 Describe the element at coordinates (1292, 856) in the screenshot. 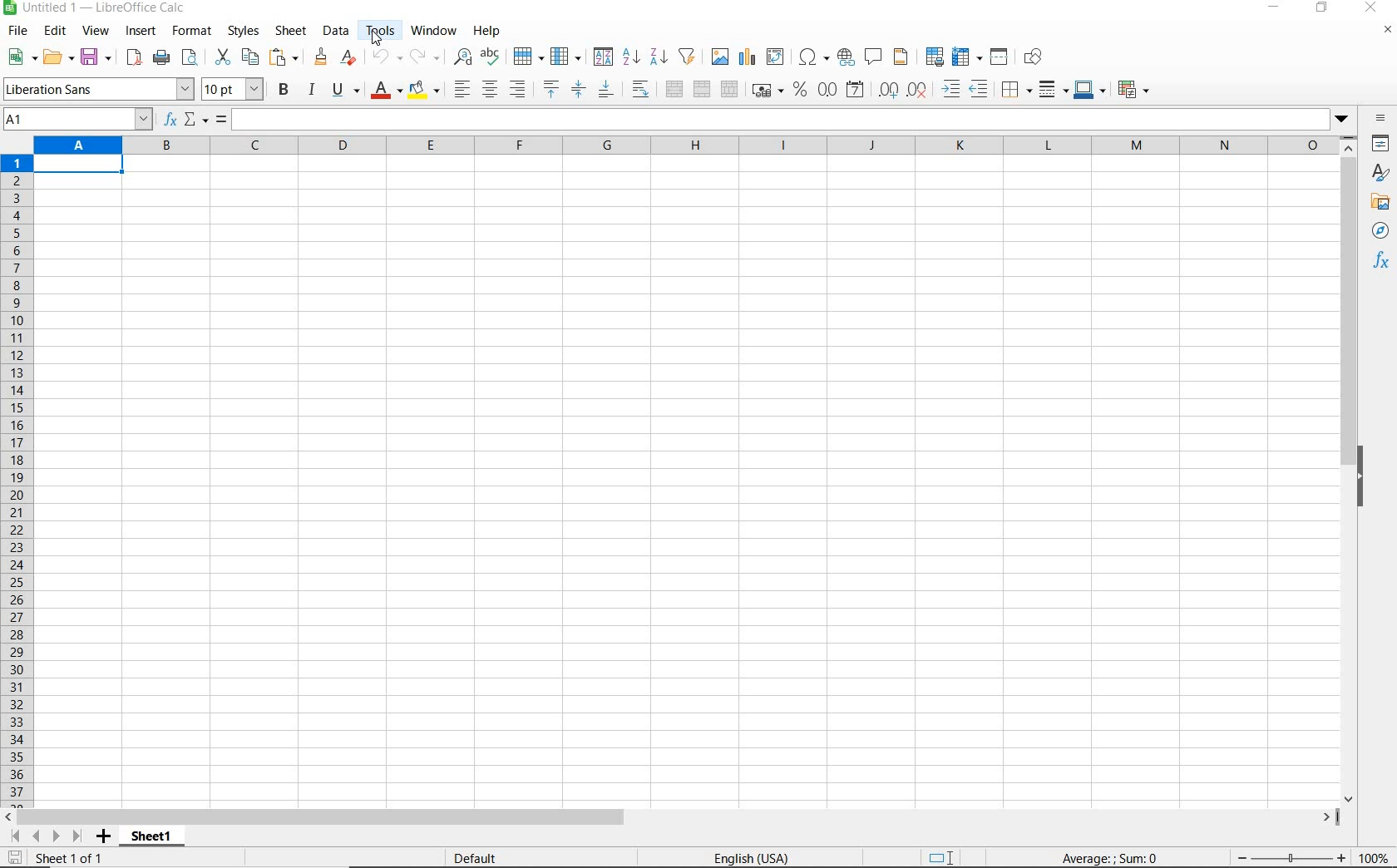

I see `ZOOM OUT OR ZOOM IN` at that location.